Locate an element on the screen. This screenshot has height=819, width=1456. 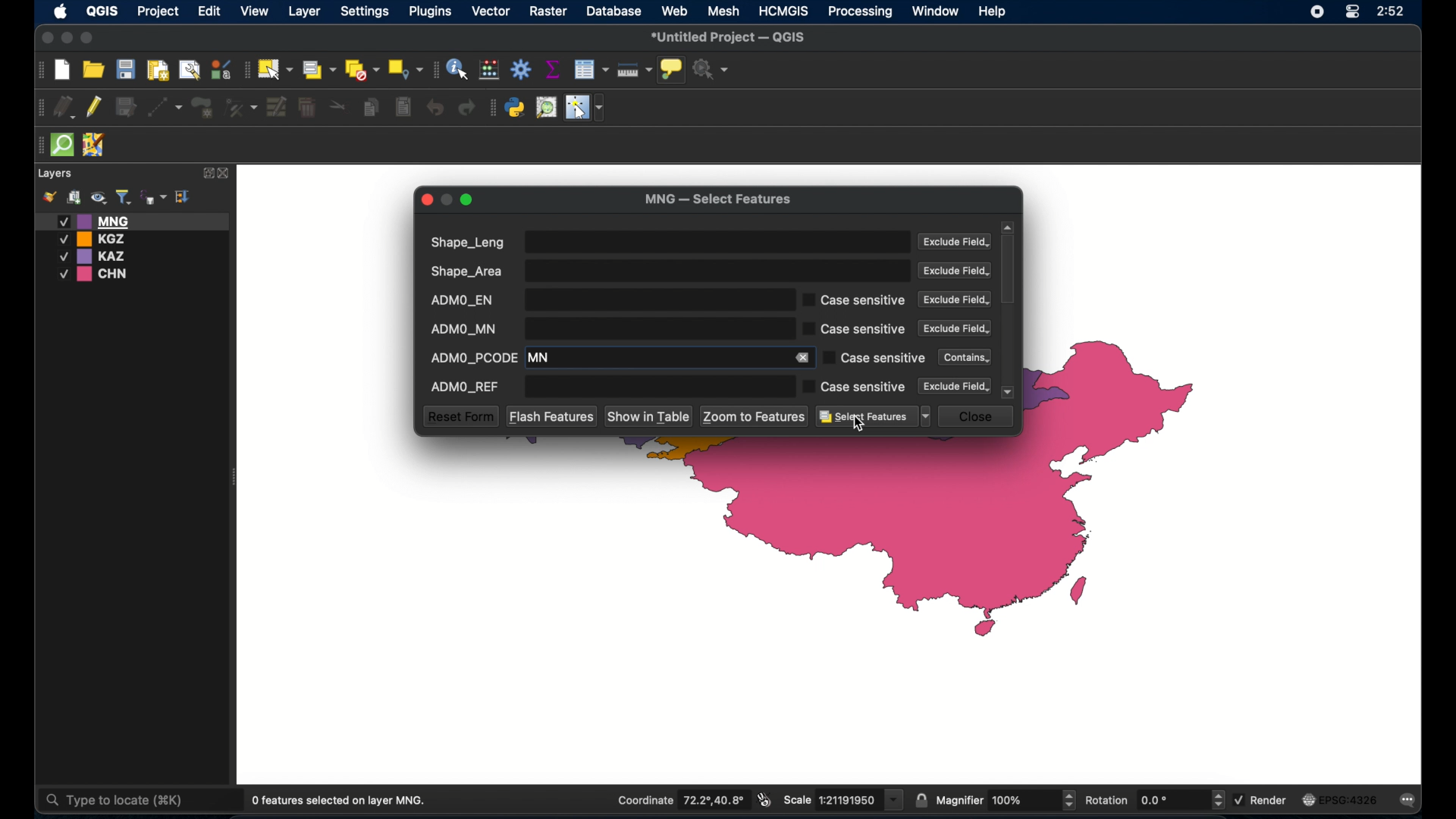
osm place search is located at coordinates (546, 108).